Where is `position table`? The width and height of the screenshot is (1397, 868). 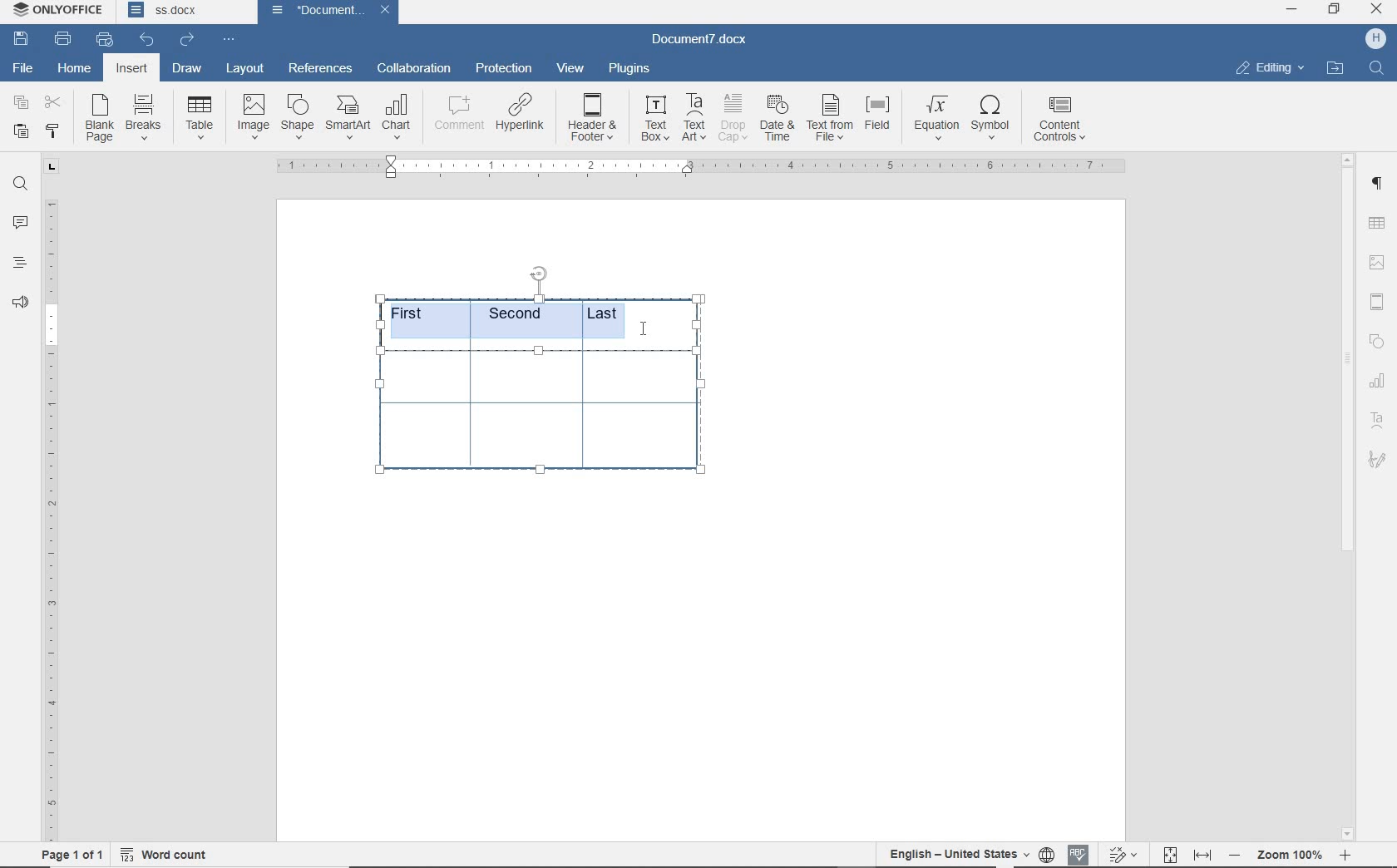 position table is located at coordinates (541, 269).